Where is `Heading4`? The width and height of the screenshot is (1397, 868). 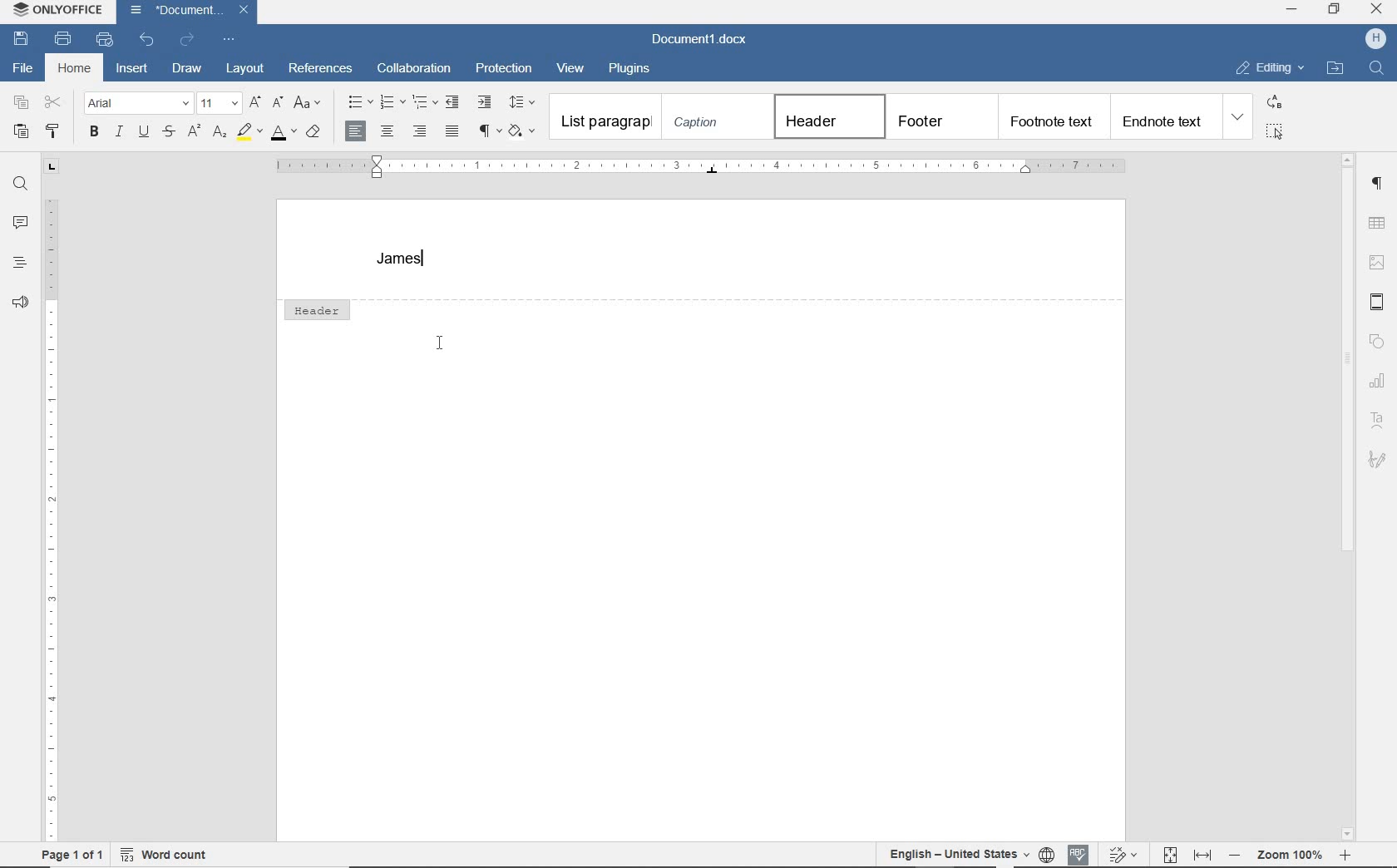 Heading4 is located at coordinates (1164, 121).